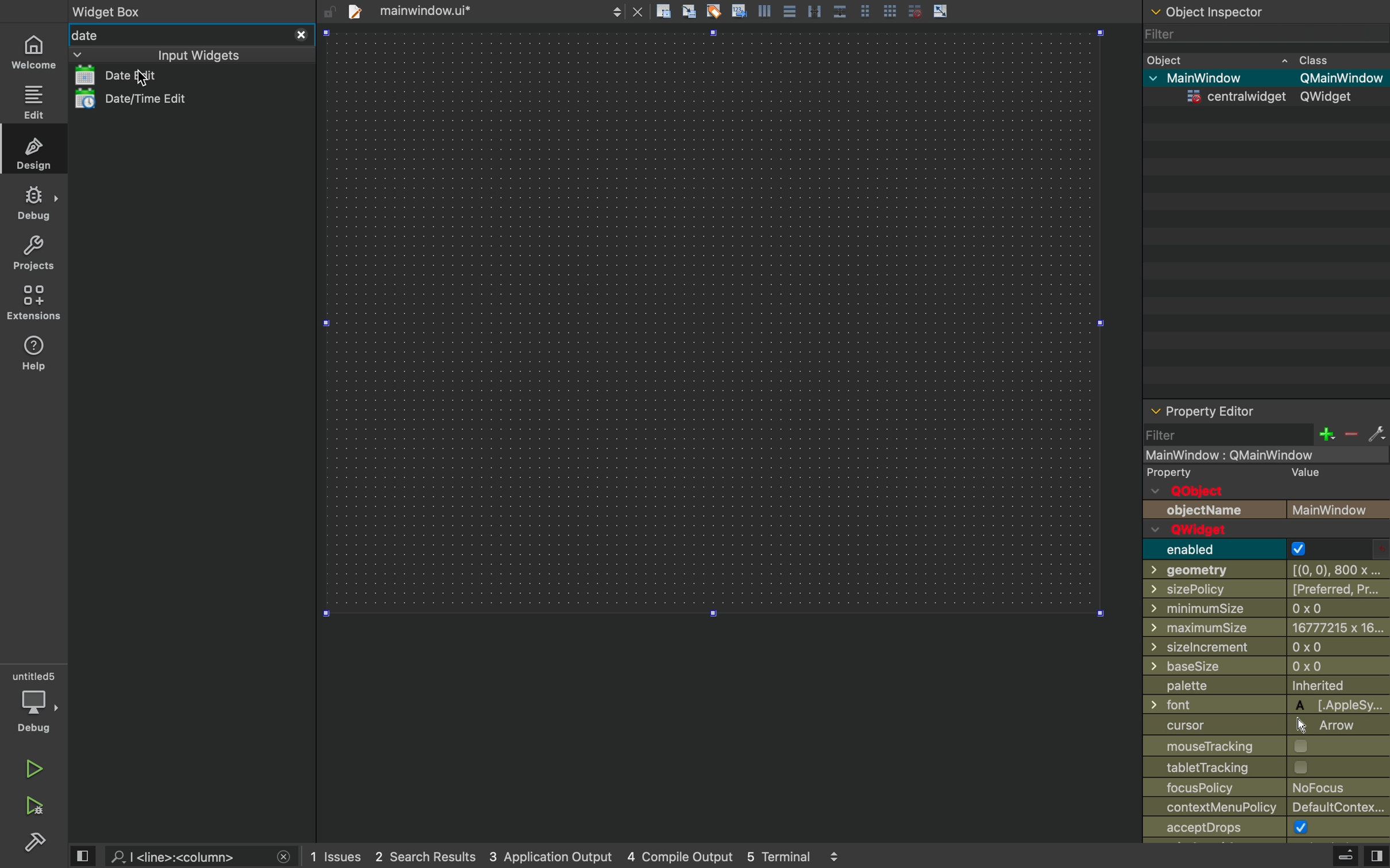 This screenshot has width=1390, height=868. What do you see at coordinates (1261, 666) in the screenshot?
I see `basesize` at bounding box center [1261, 666].